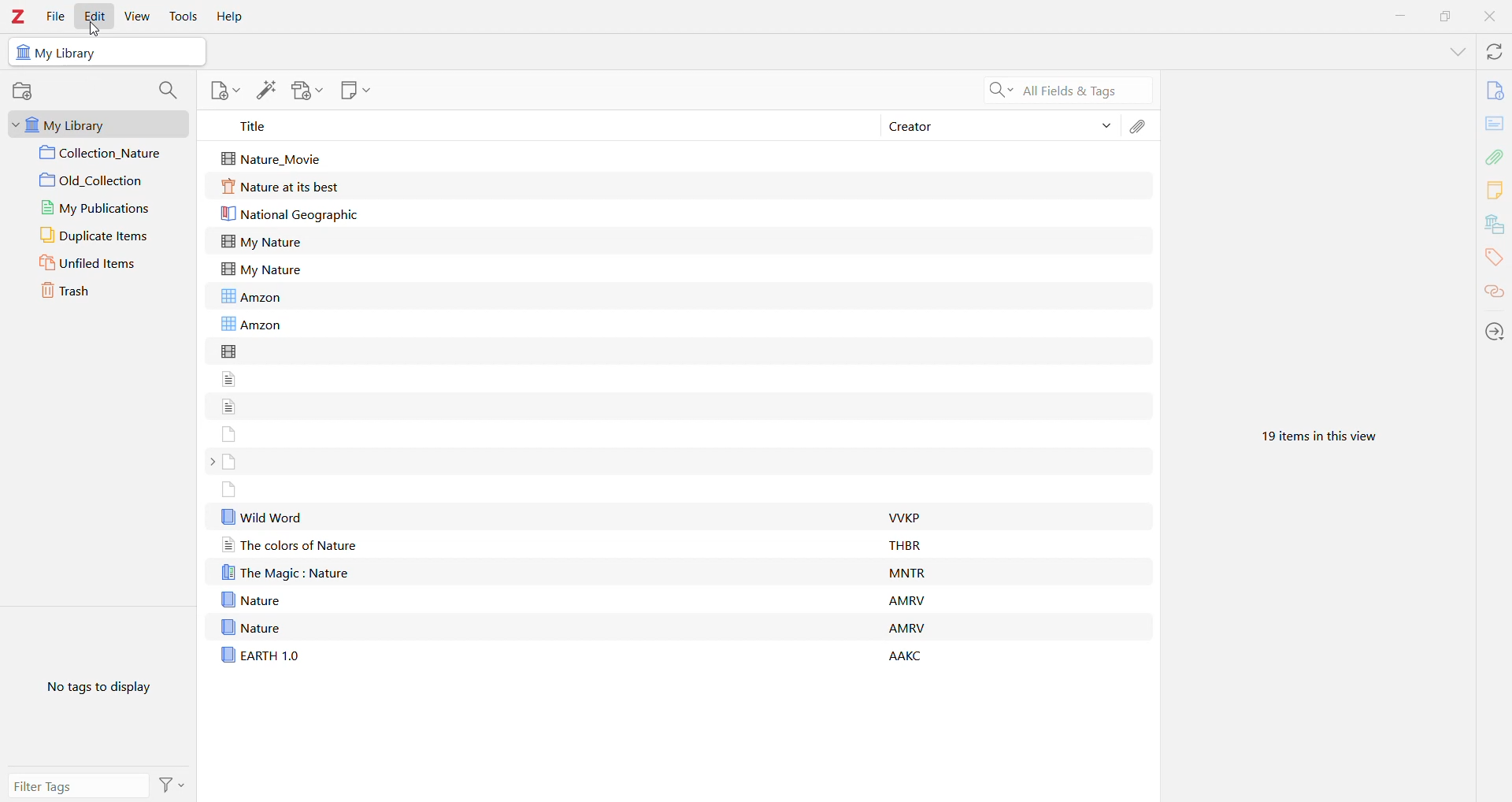 The width and height of the screenshot is (1512, 802). I want to click on The Magic : Nature, so click(293, 572).